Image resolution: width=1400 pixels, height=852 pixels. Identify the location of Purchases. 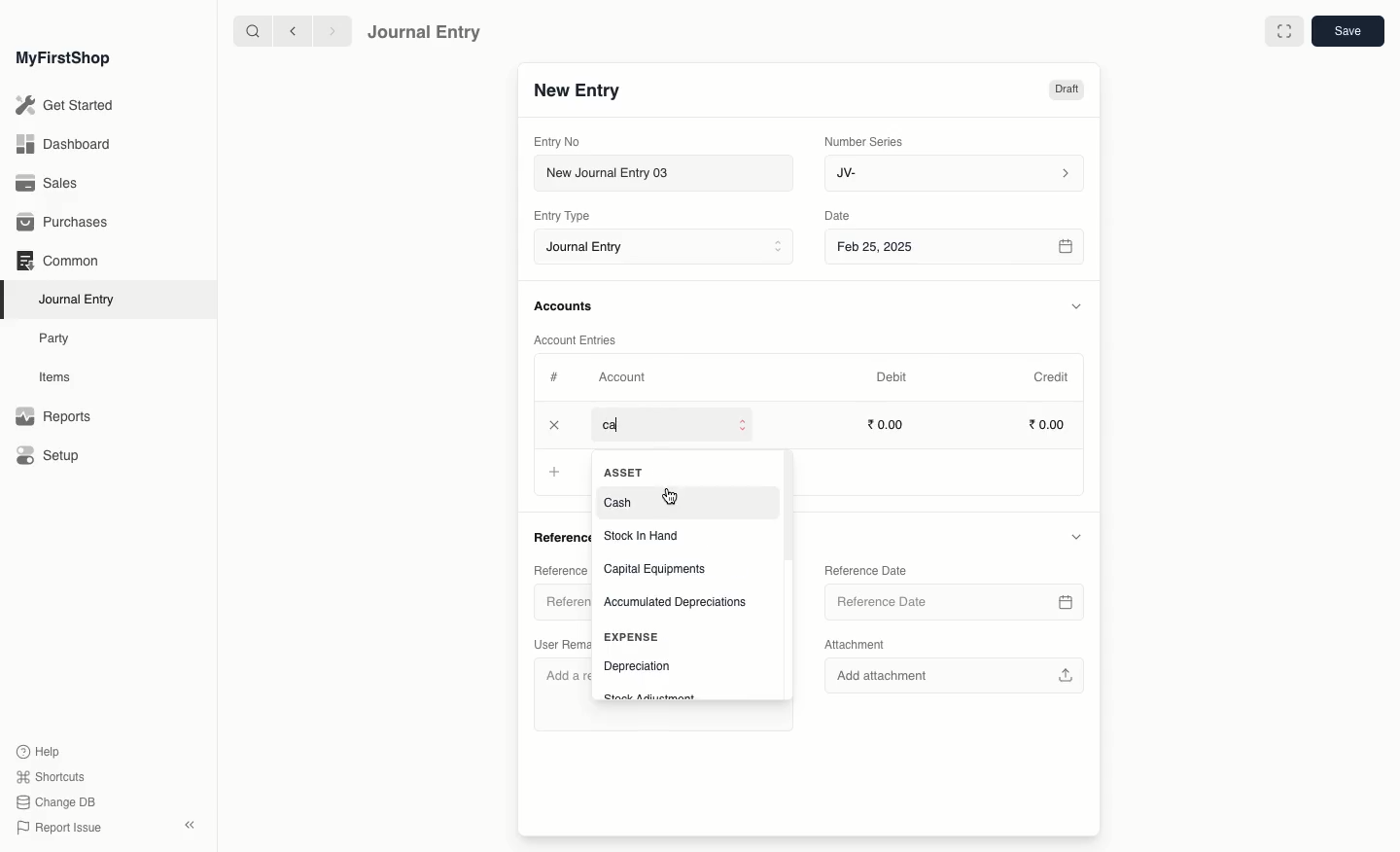
(67, 223).